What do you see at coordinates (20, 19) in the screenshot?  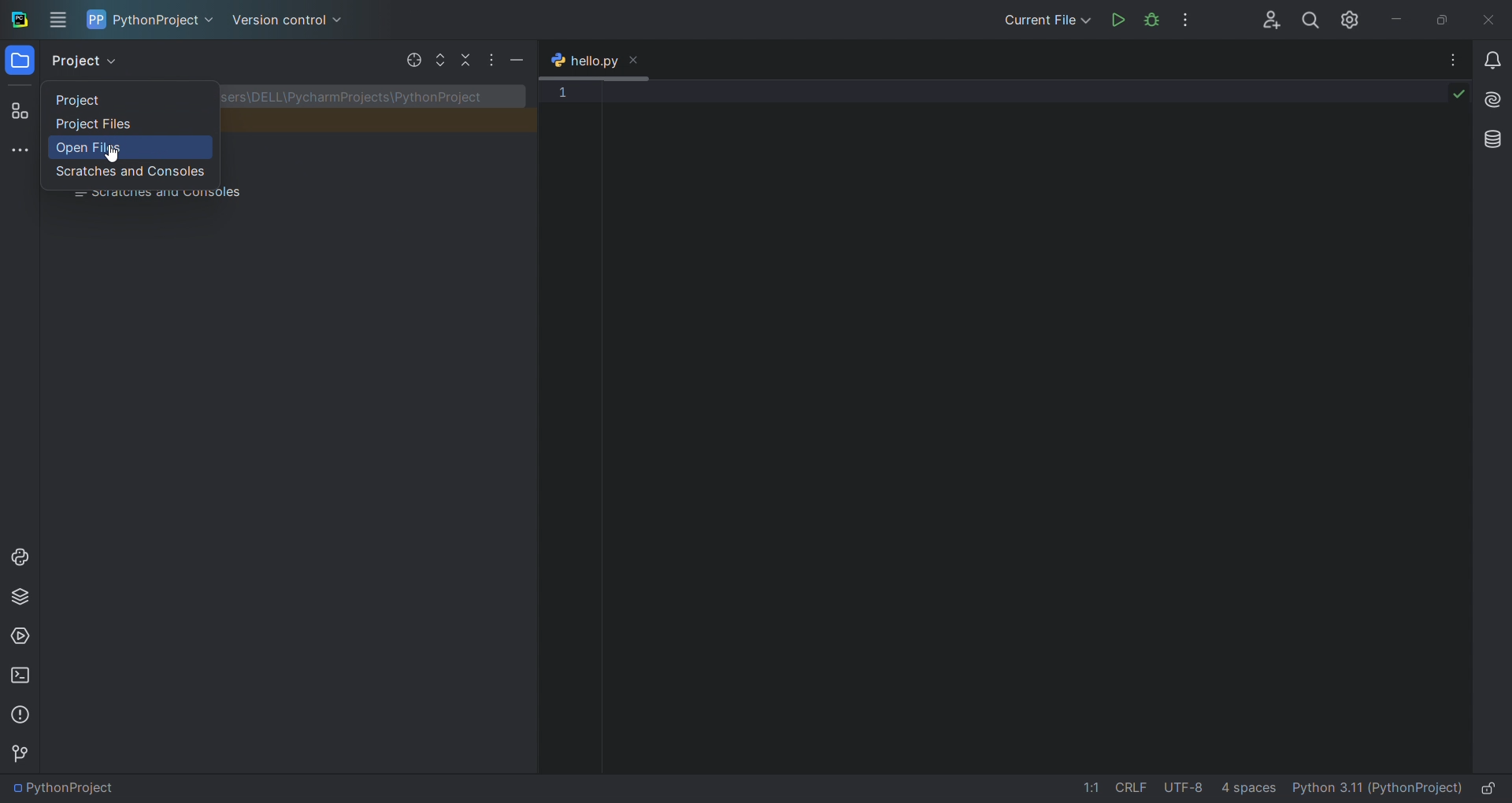 I see `logo` at bounding box center [20, 19].